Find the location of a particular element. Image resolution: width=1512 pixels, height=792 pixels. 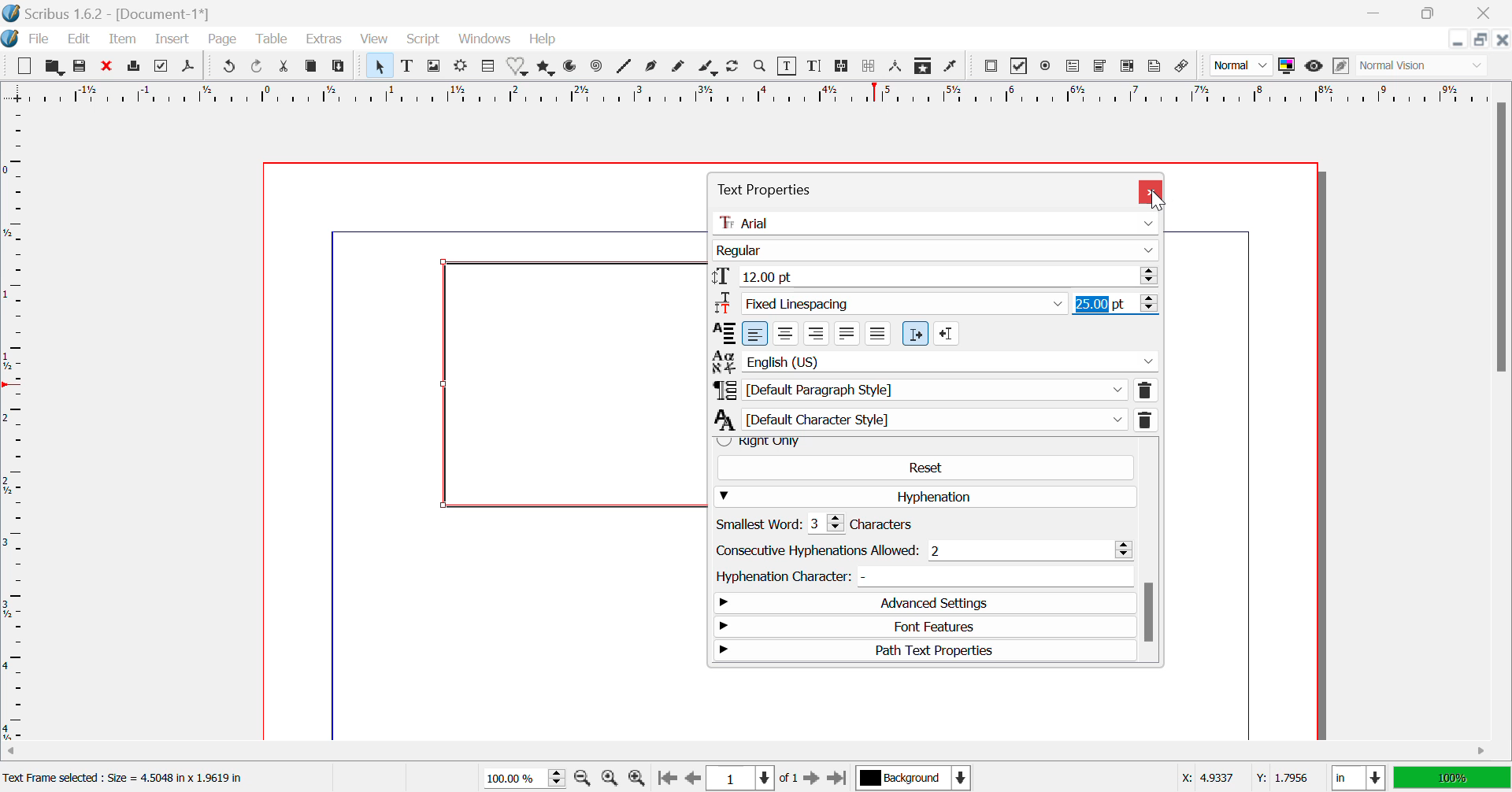

Delink Text Frame is located at coordinates (869, 68).